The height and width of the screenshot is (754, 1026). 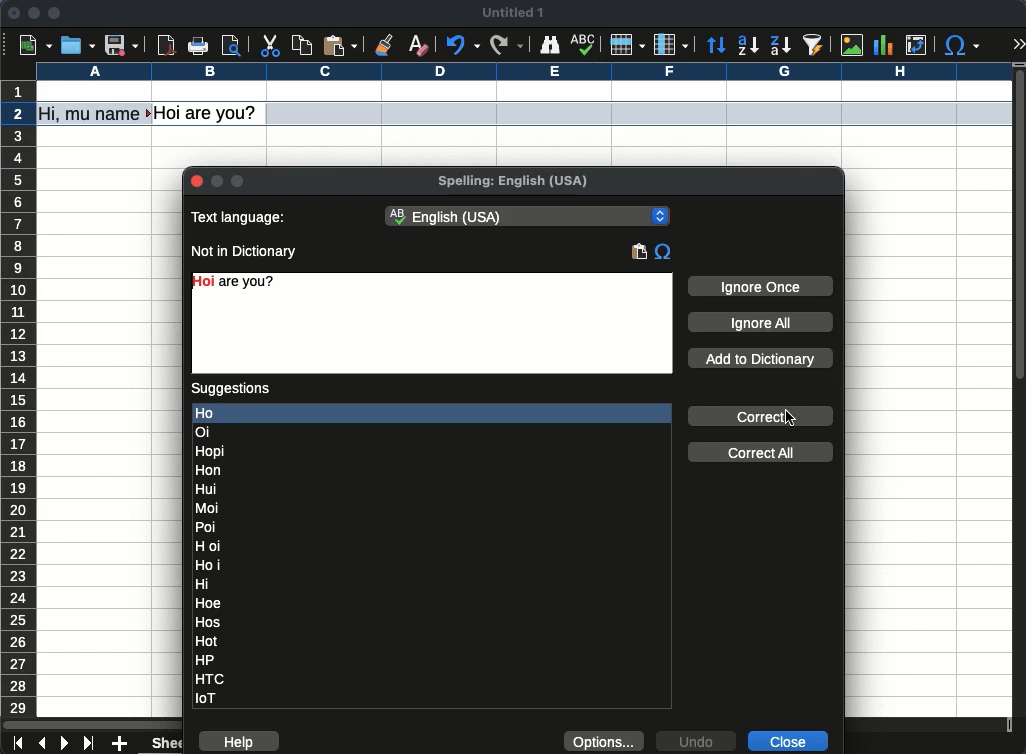 What do you see at coordinates (211, 450) in the screenshot?
I see `Hopi` at bounding box center [211, 450].